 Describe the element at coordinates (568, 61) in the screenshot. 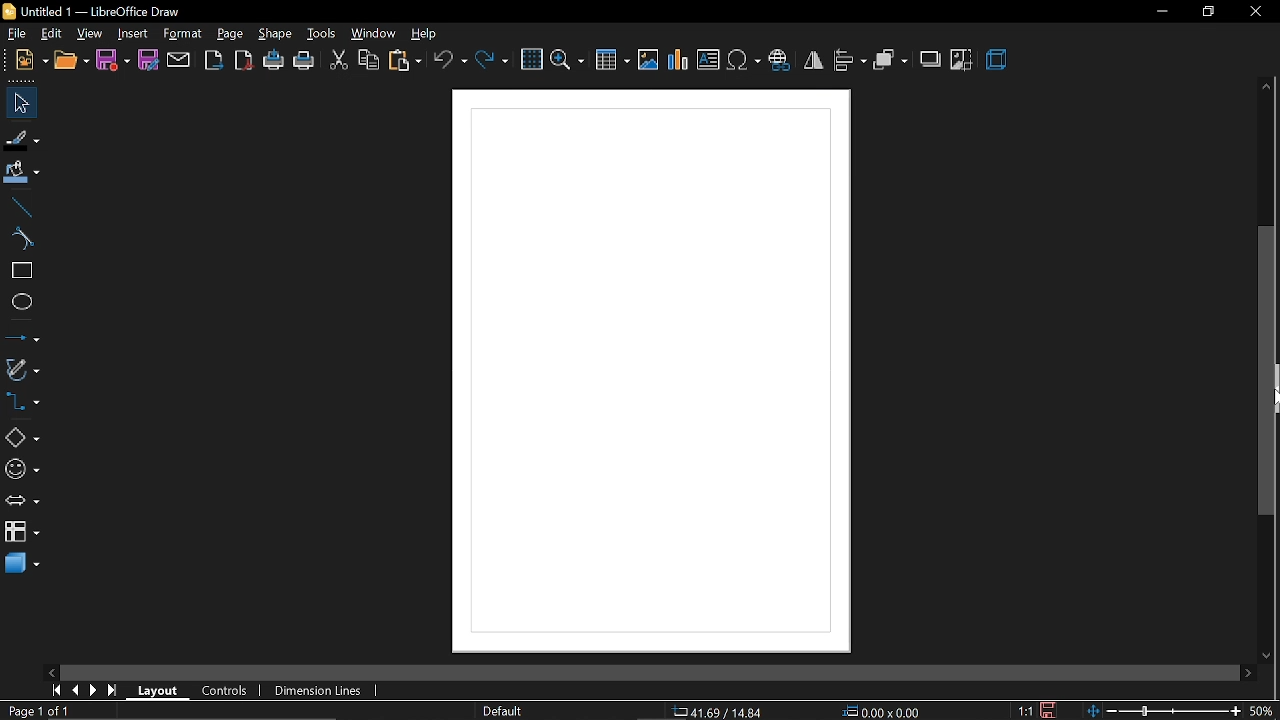

I see `zoom` at that location.